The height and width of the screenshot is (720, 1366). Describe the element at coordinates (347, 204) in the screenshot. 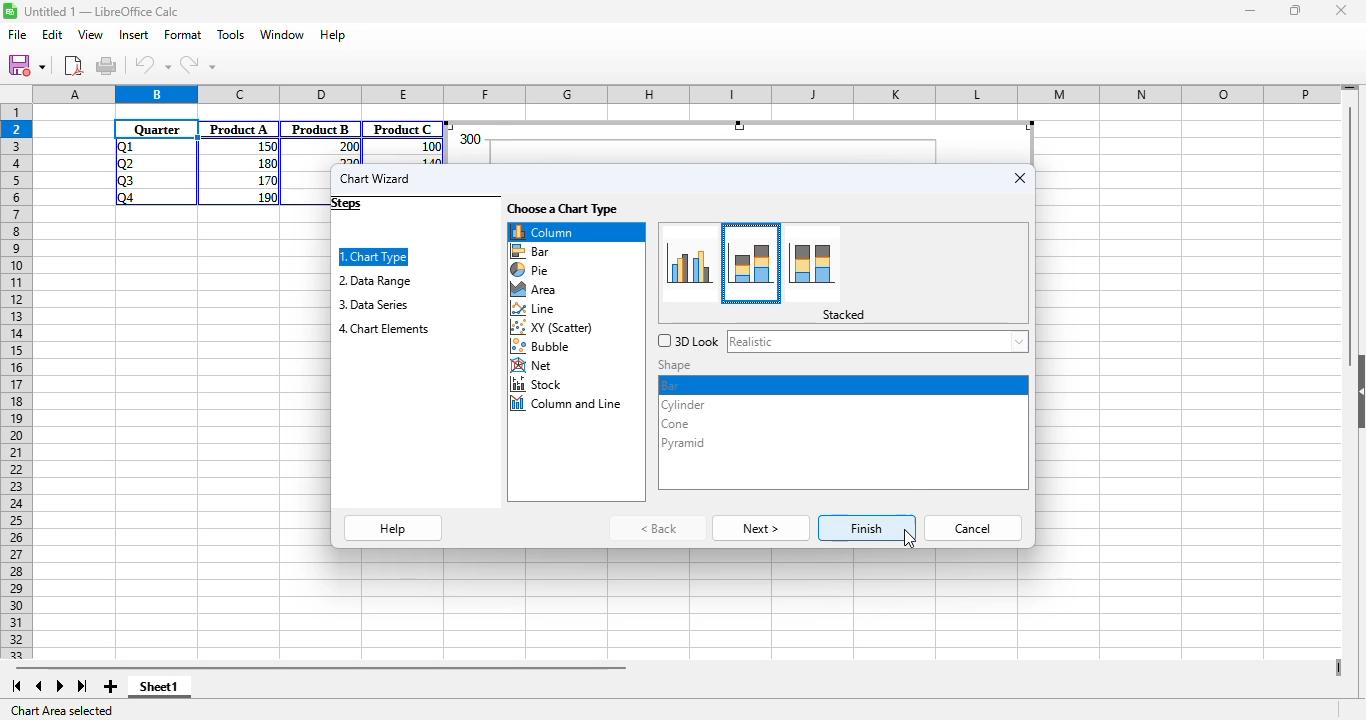

I see `steps` at that location.